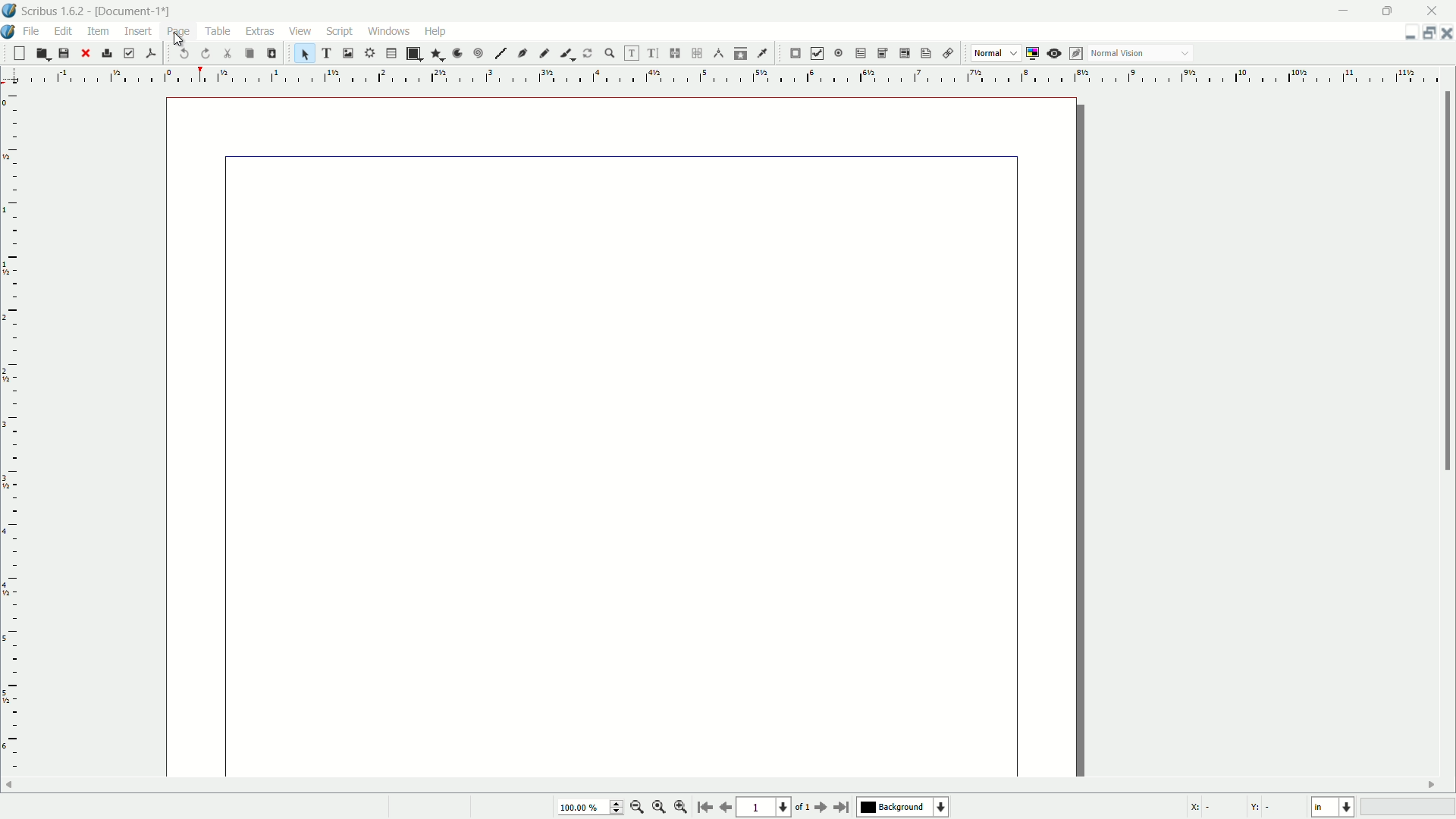 This screenshot has width=1456, height=819. What do you see at coordinates (368, 53) in the screenshot?
I see `render frame` at bounding box center [368, 53].